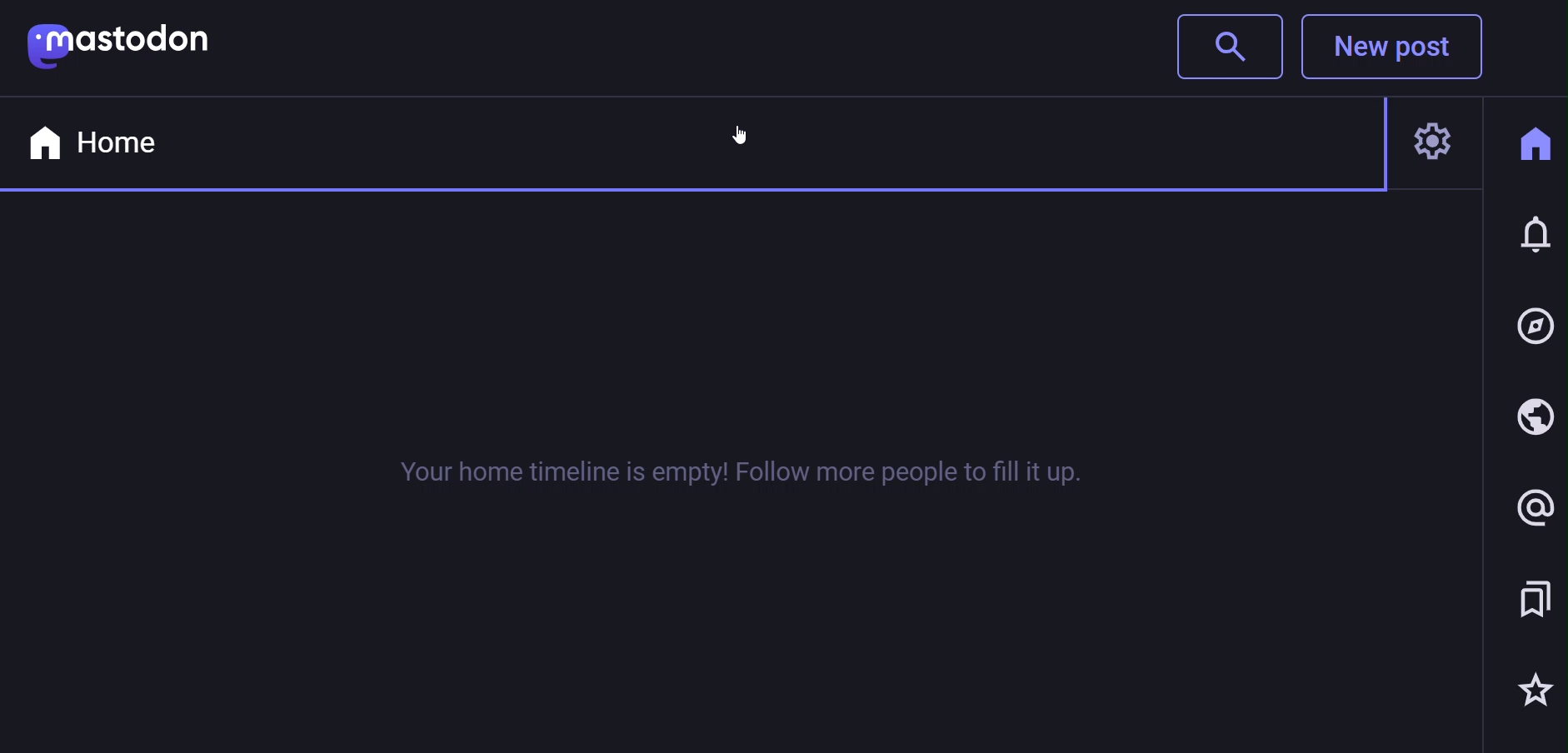 The height and width of the screenshot is (753, 1568). Describe the element at coordinates (1531, 601) in the screenshot. I see `bookmark` at that location.